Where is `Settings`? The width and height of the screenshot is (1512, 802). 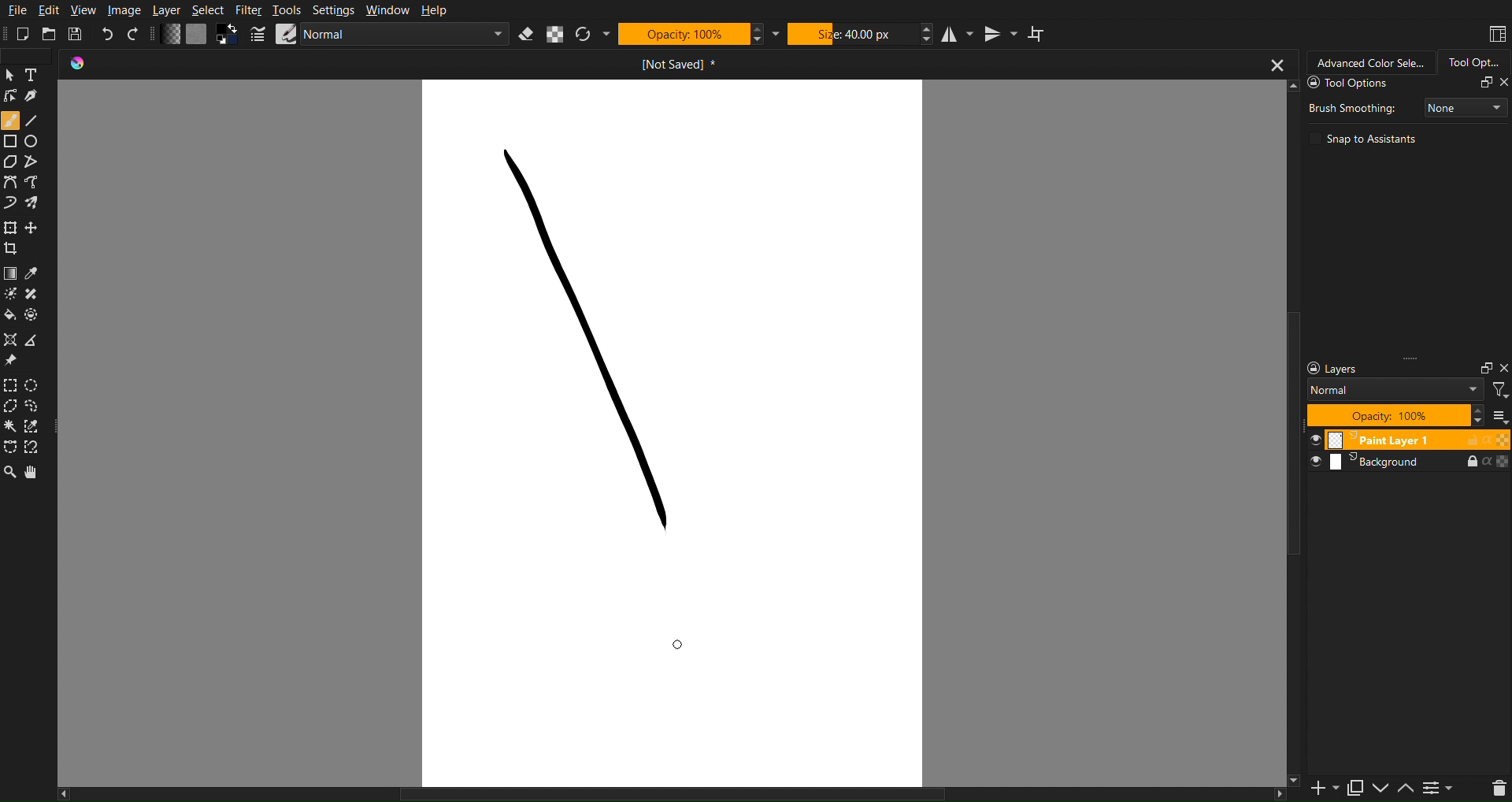
Settings is located at coordinates (333, 9).